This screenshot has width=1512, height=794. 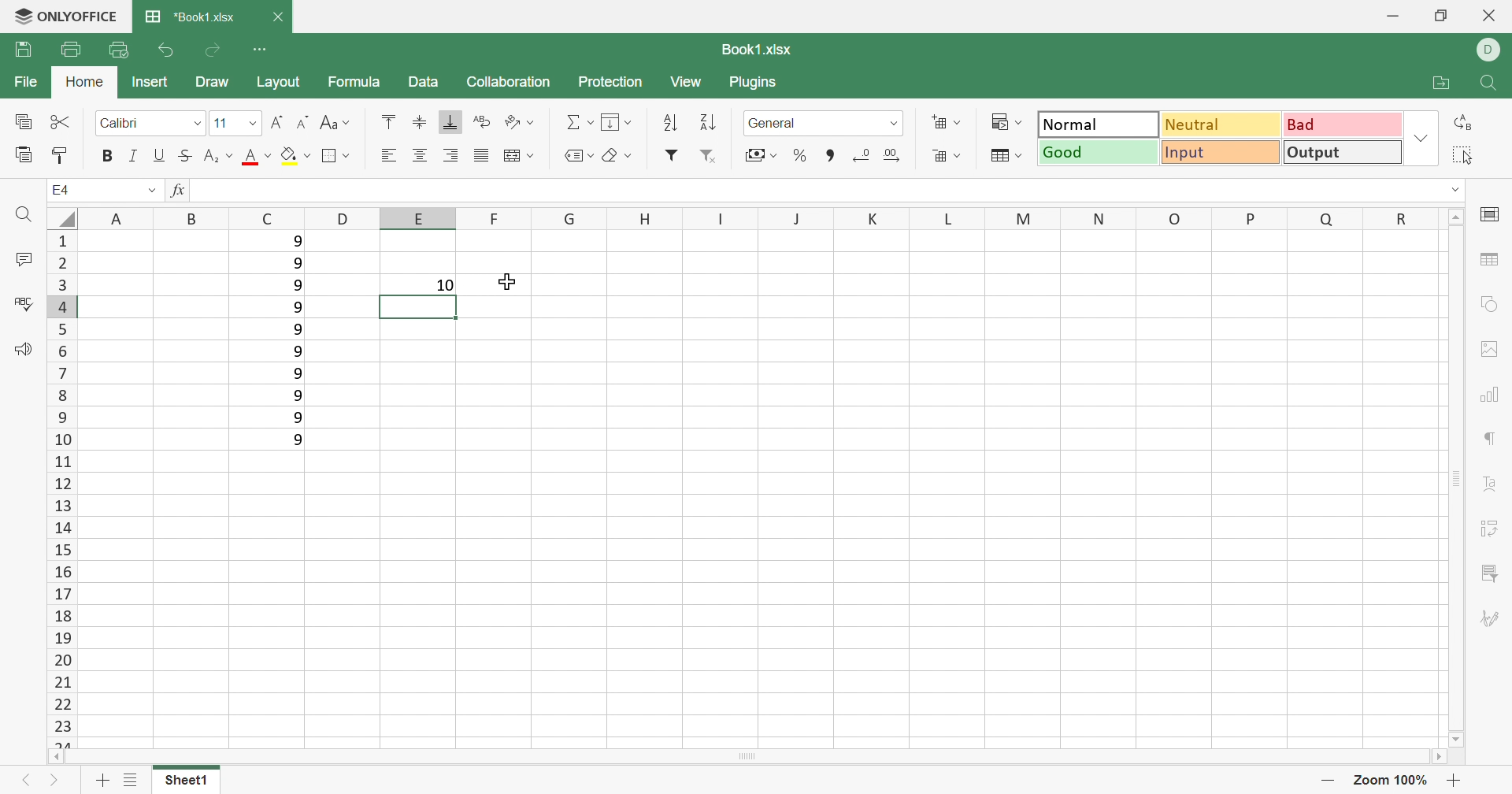 I want to click on Output, so click(x=1099, y=124).